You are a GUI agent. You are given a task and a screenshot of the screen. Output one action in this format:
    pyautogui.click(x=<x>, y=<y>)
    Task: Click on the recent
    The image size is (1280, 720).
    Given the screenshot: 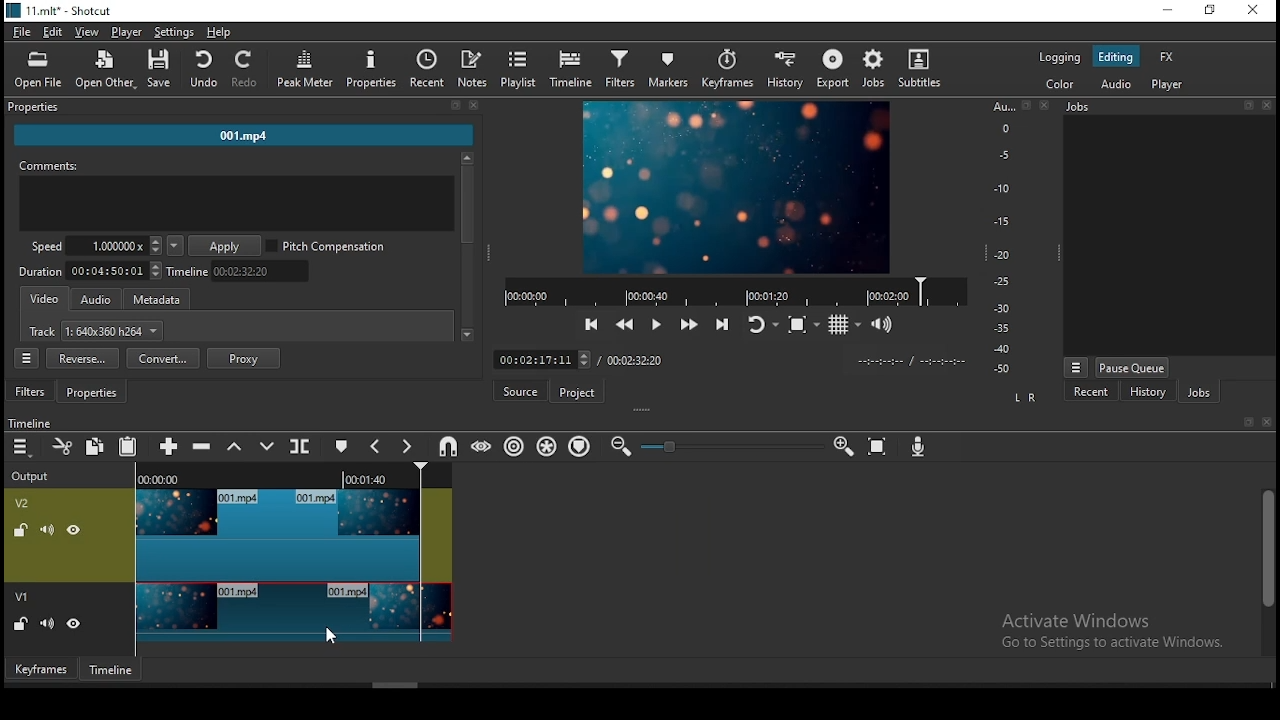 What is the action you would take?
    pyautogui.click(x=428, y=69)
    